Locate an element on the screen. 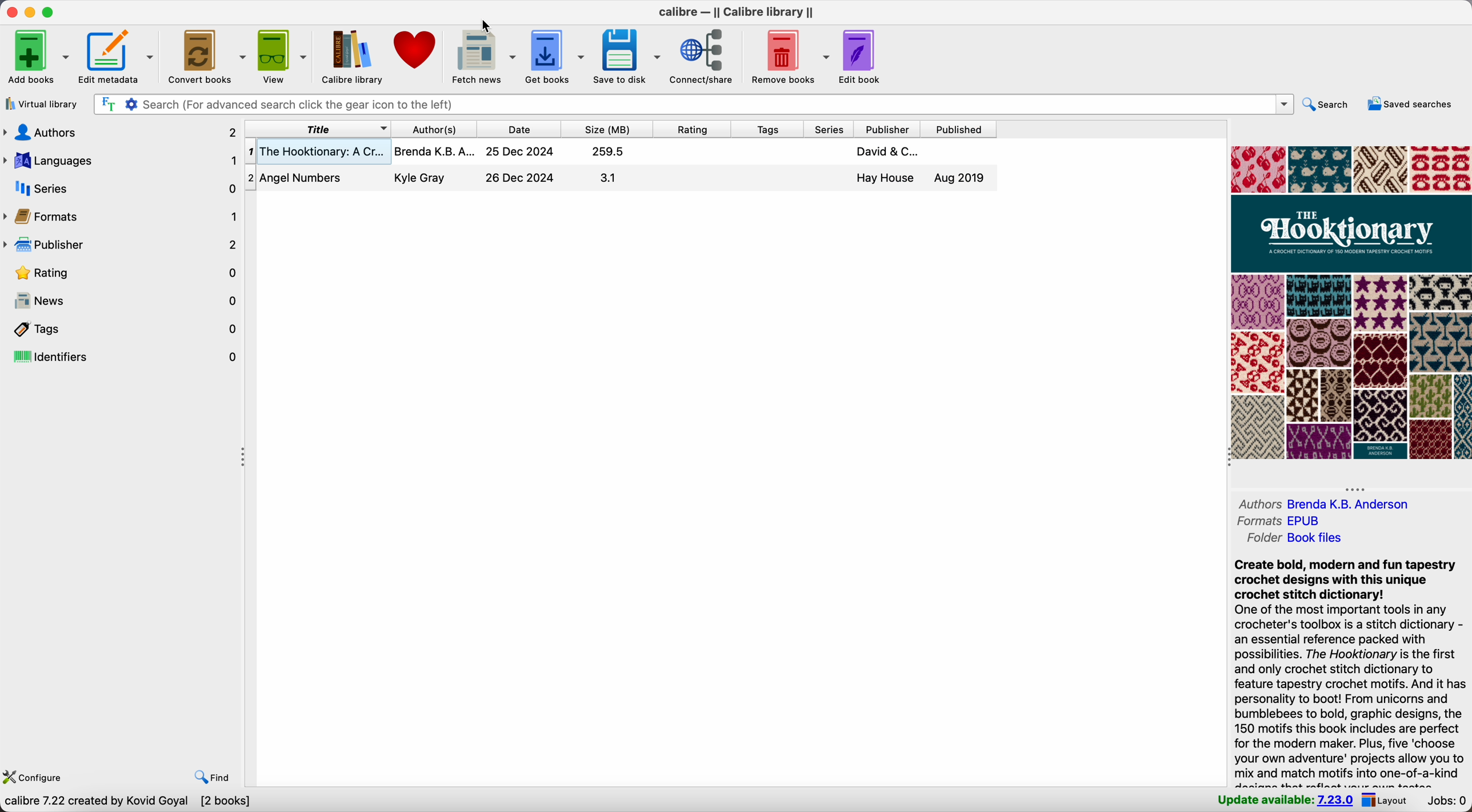 The height and width of the screenshot is (812, 1472). edit metadata is located at coordinates (118, 58).